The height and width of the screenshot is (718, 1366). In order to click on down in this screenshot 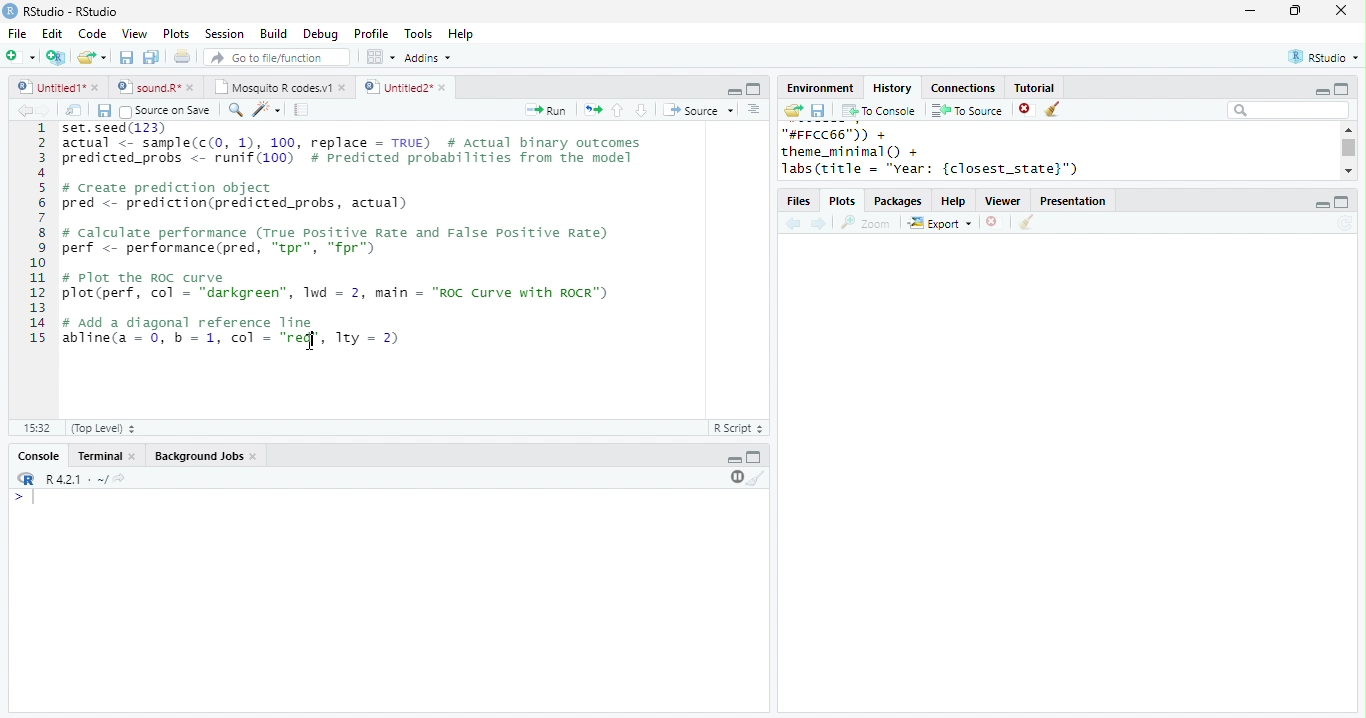, I will do `click(640, 110)`.